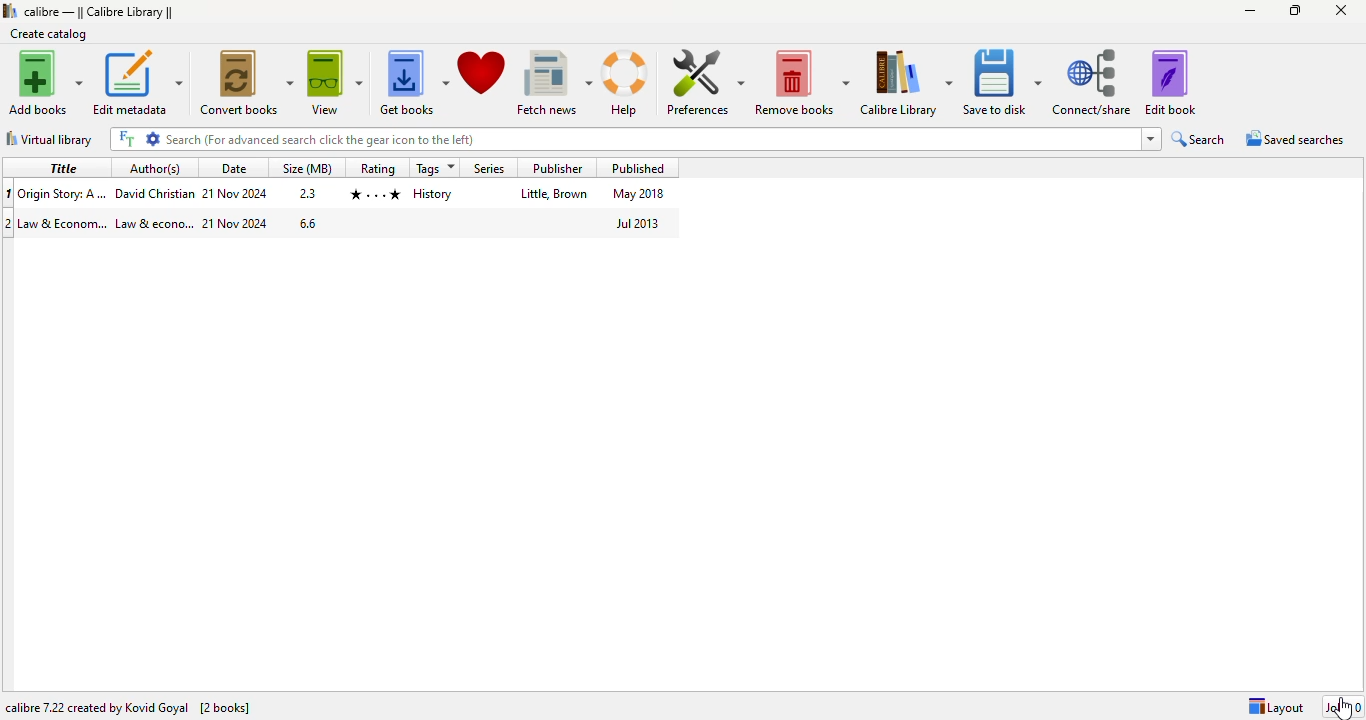 This screenshot has height=720, width=1366. What do you see at coordinates (99, 12) in the screenshot?
I see `calibre library` at bounding box center [99, 12].